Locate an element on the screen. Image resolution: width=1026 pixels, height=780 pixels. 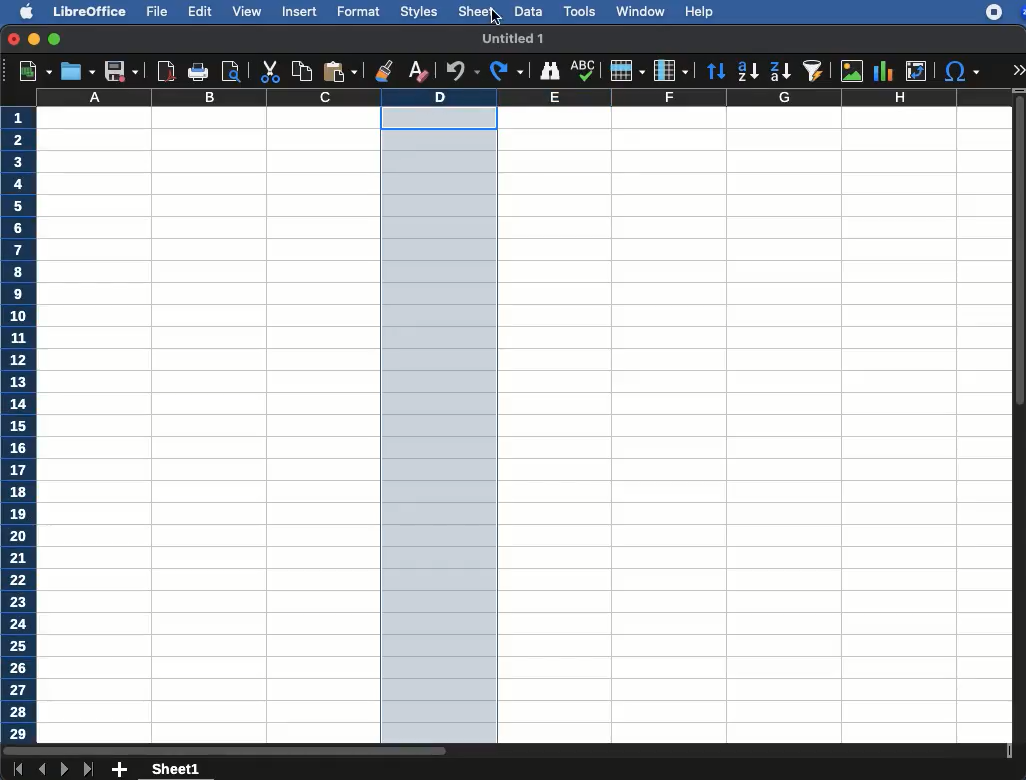
data is located at coordinates (528, 10).